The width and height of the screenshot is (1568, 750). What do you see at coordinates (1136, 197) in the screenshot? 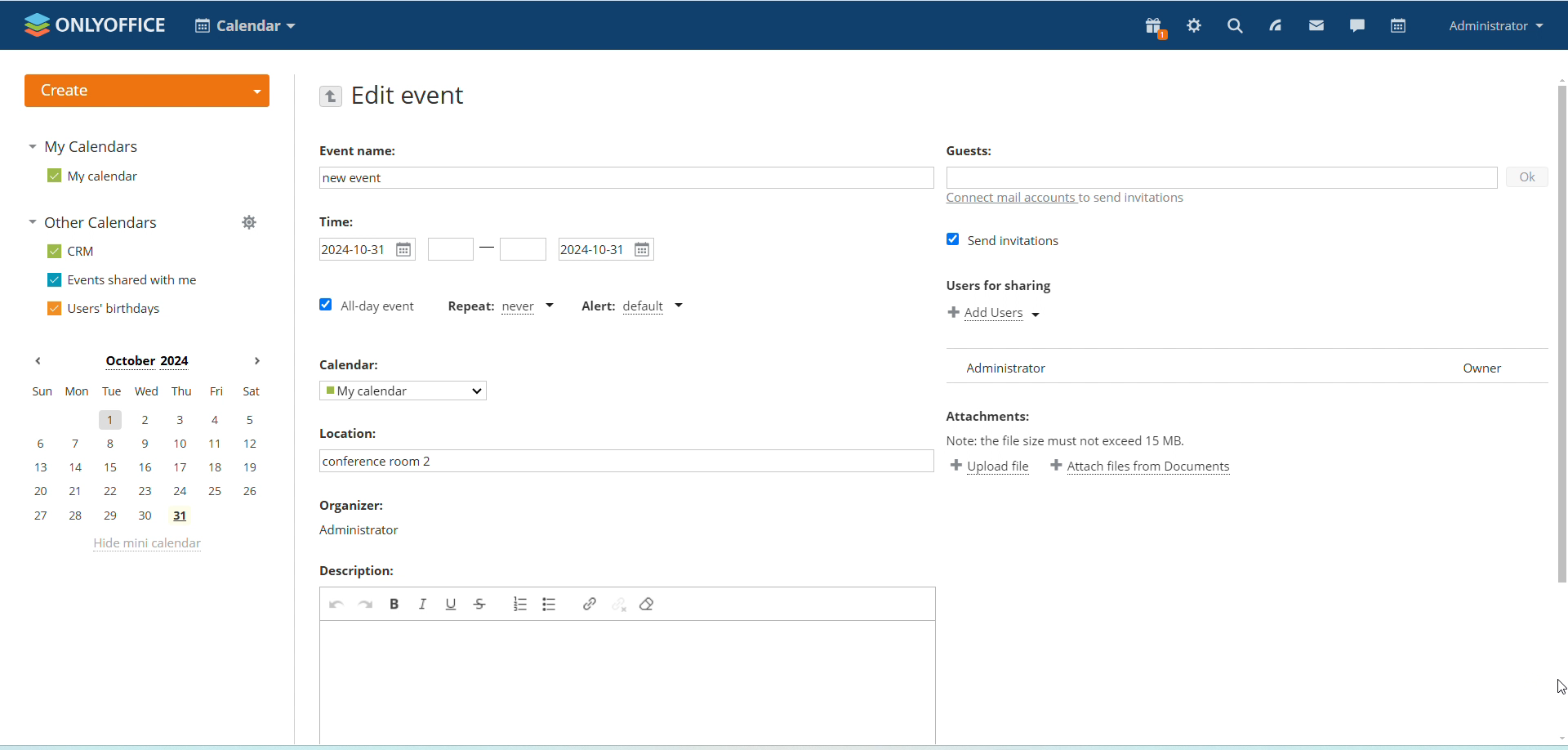
I see `text` at bounding box center [1136, 197].